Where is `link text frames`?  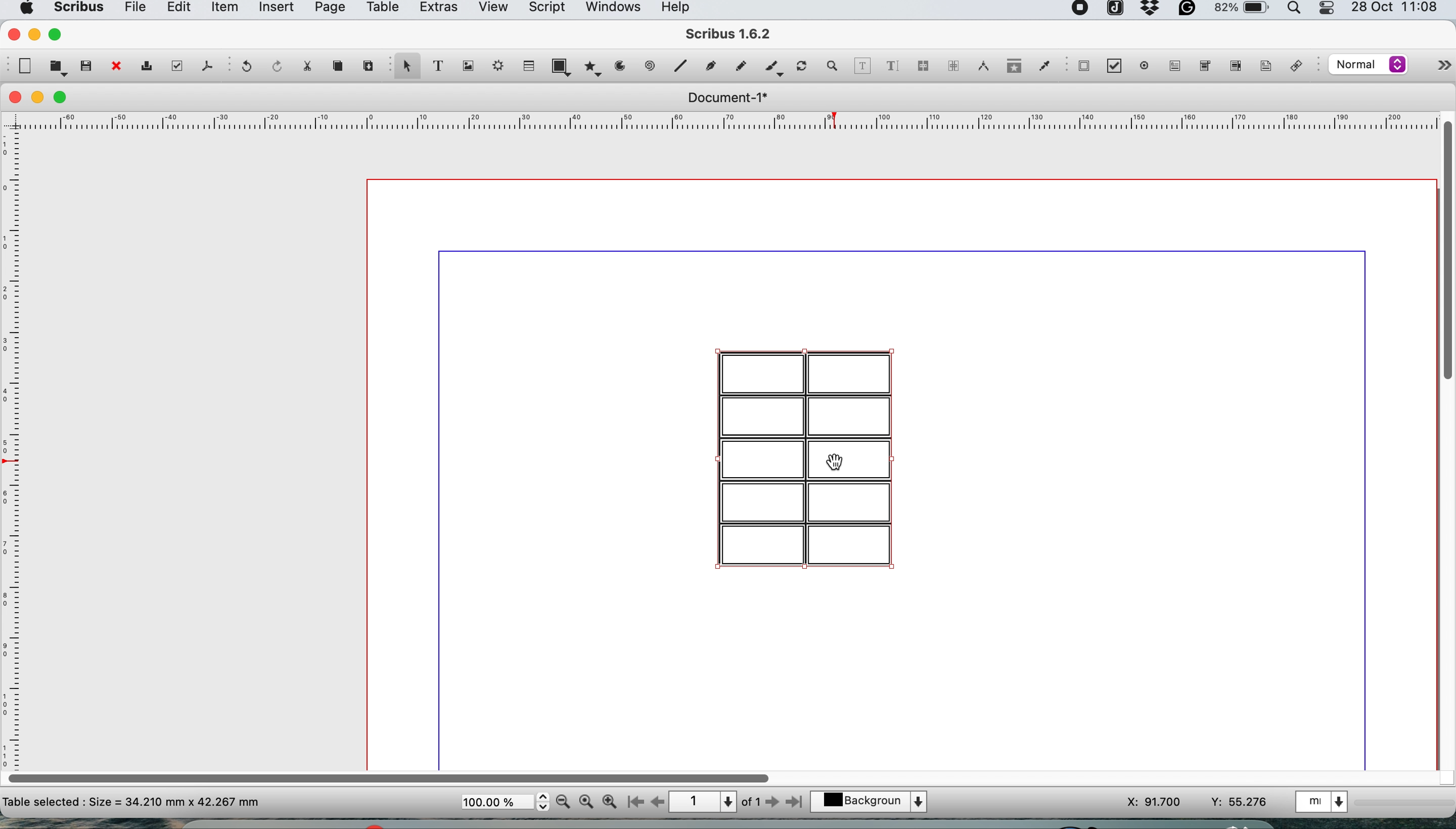
link text frames is located at coordinates (922, 68).